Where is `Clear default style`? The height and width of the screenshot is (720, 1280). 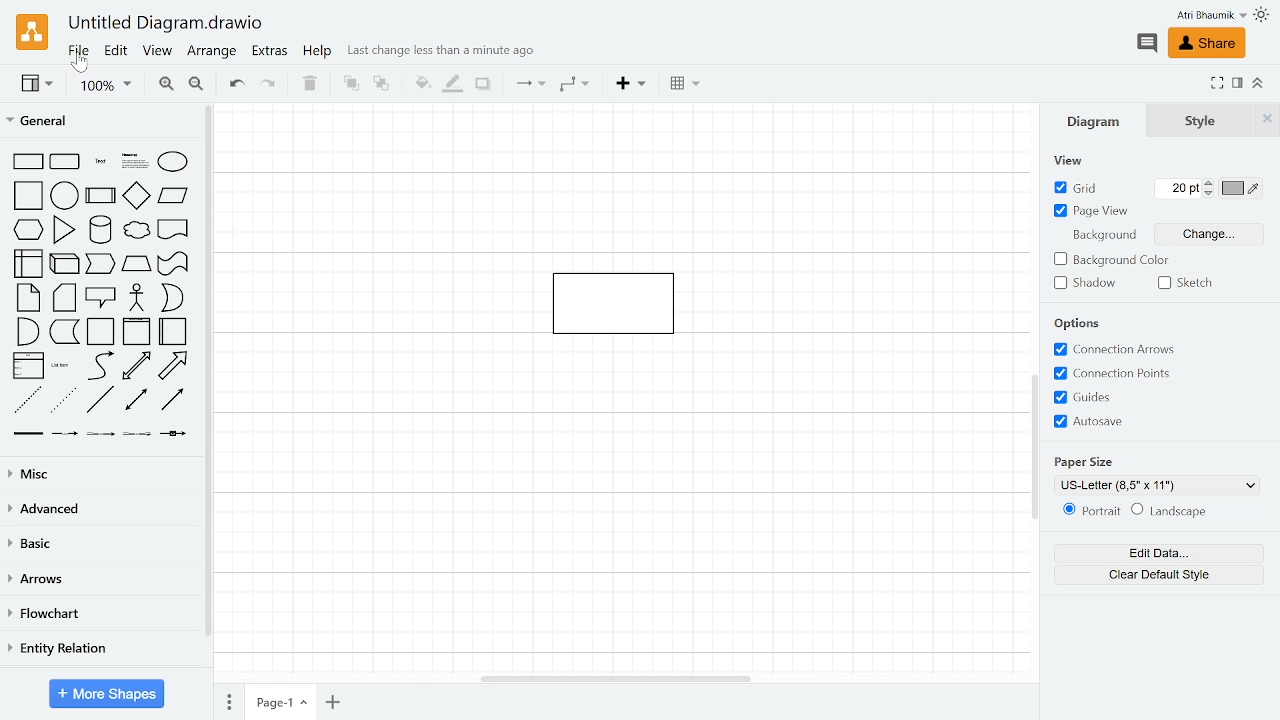 Clear default style is located at coordinates (1159, 574).